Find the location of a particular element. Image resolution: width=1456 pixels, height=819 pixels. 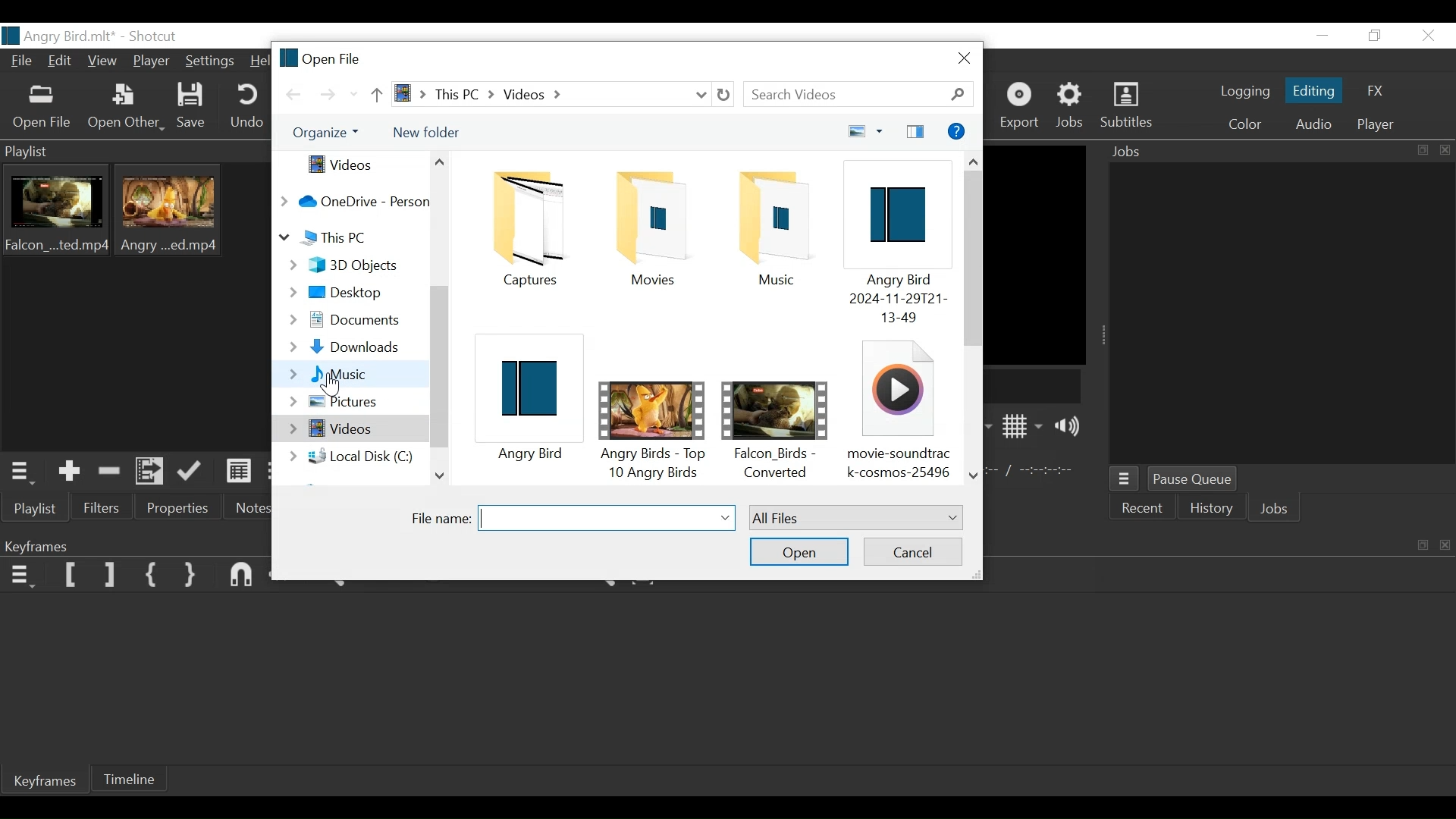

Videos is located at coordinates (353, 430).